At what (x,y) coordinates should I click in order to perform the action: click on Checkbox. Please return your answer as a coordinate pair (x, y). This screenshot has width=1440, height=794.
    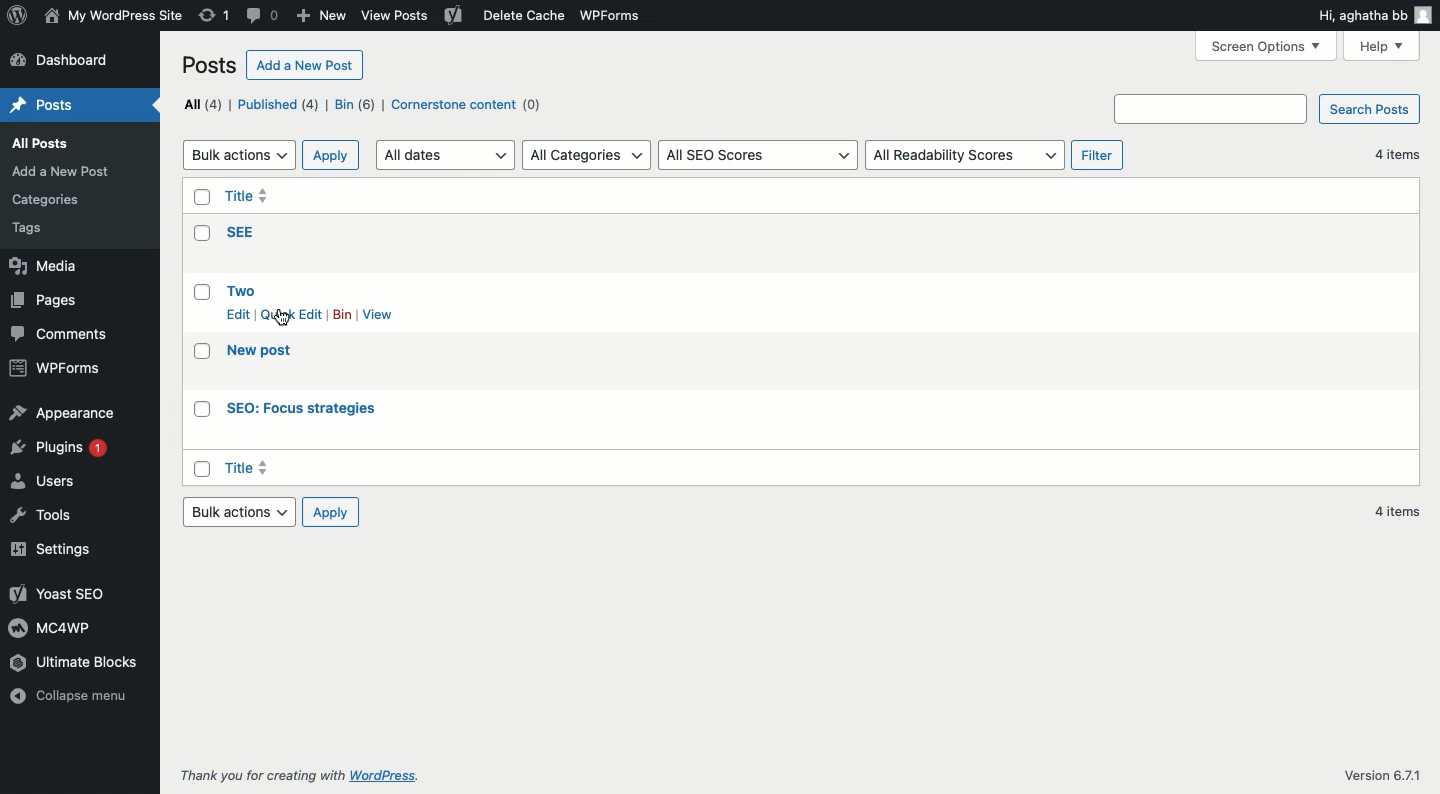
    Looking at the image, I should click on (204, 353).